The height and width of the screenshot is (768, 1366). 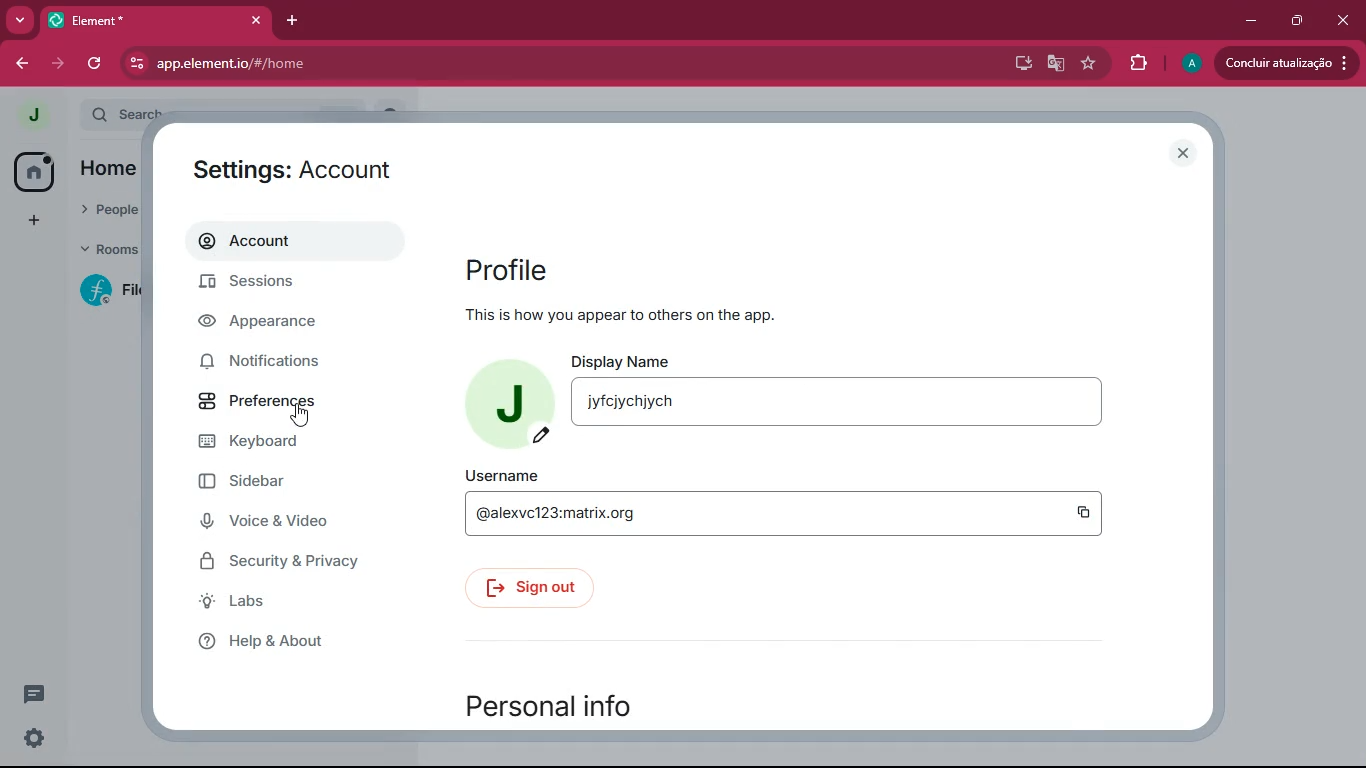 What do you see at coordinates (30, 223) in the screenshot?
I see `add` at bounding box center [30, 223].